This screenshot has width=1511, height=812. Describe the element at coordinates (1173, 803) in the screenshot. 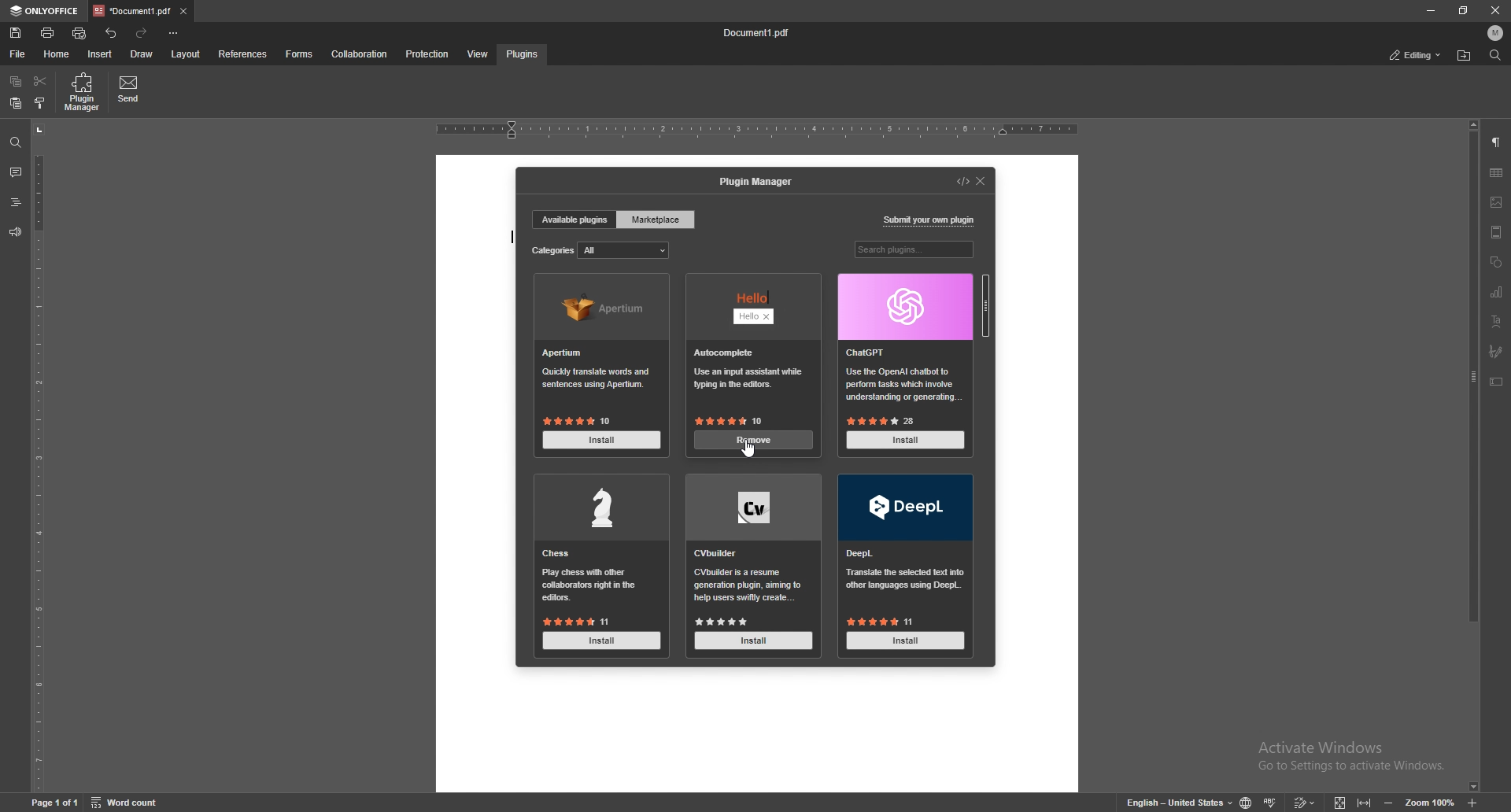

I see `English - United States` at that location.